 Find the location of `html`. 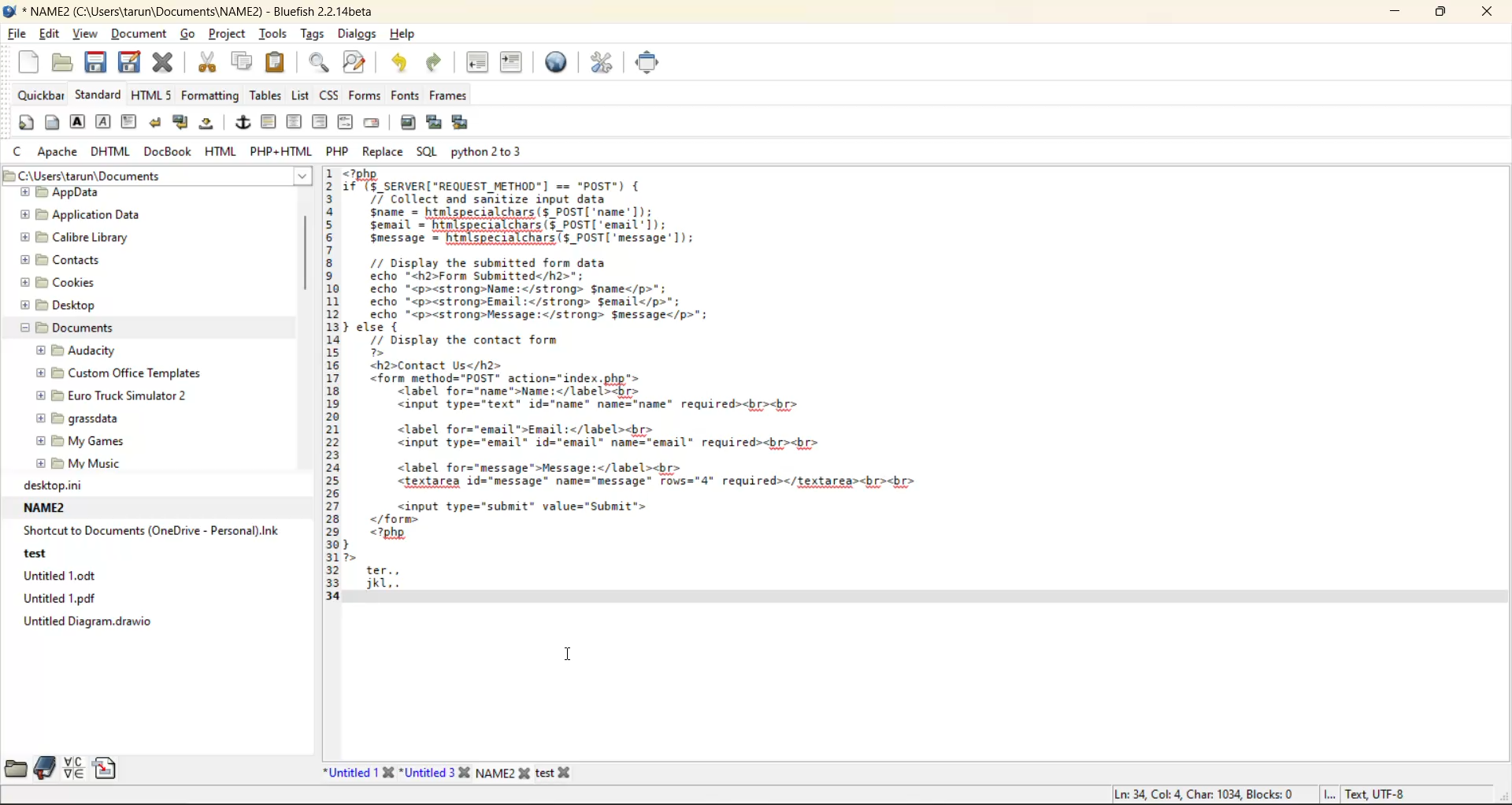

html is located at coordinates (224, 151).